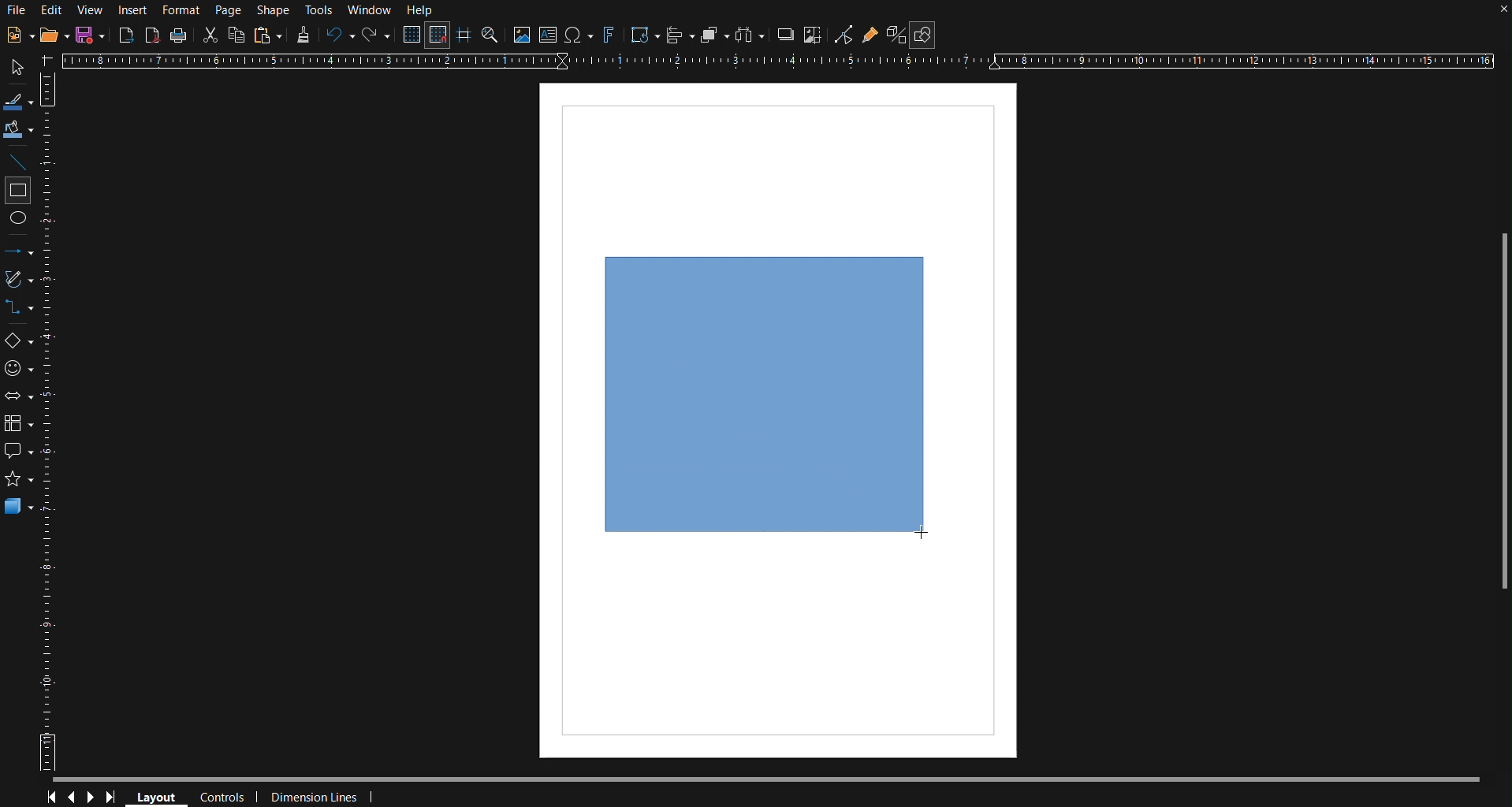  I want to click on Undo, so click(337, 35).